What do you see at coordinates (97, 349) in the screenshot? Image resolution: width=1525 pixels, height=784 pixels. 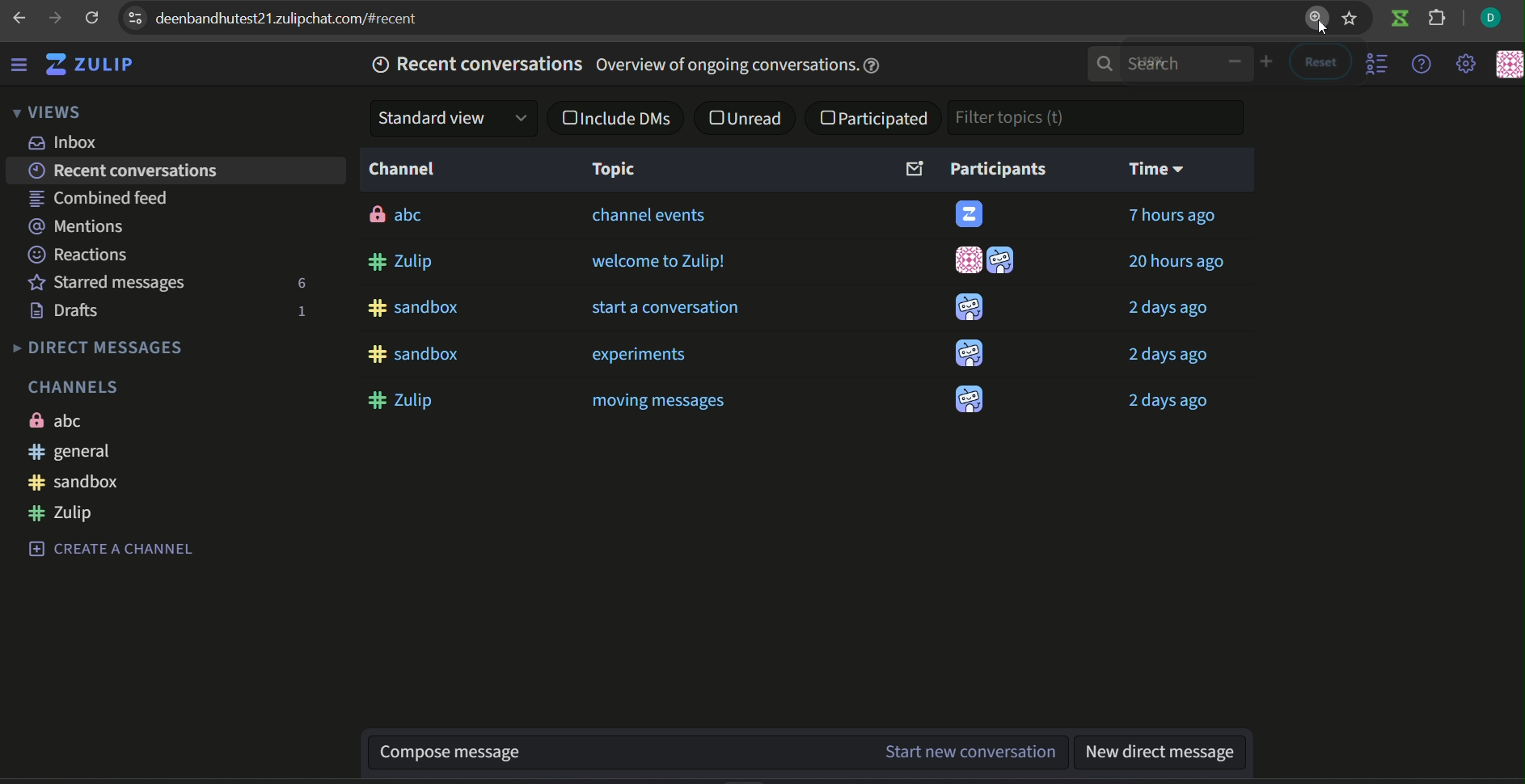 I see `direct messages` at bounding box center [97, 349].